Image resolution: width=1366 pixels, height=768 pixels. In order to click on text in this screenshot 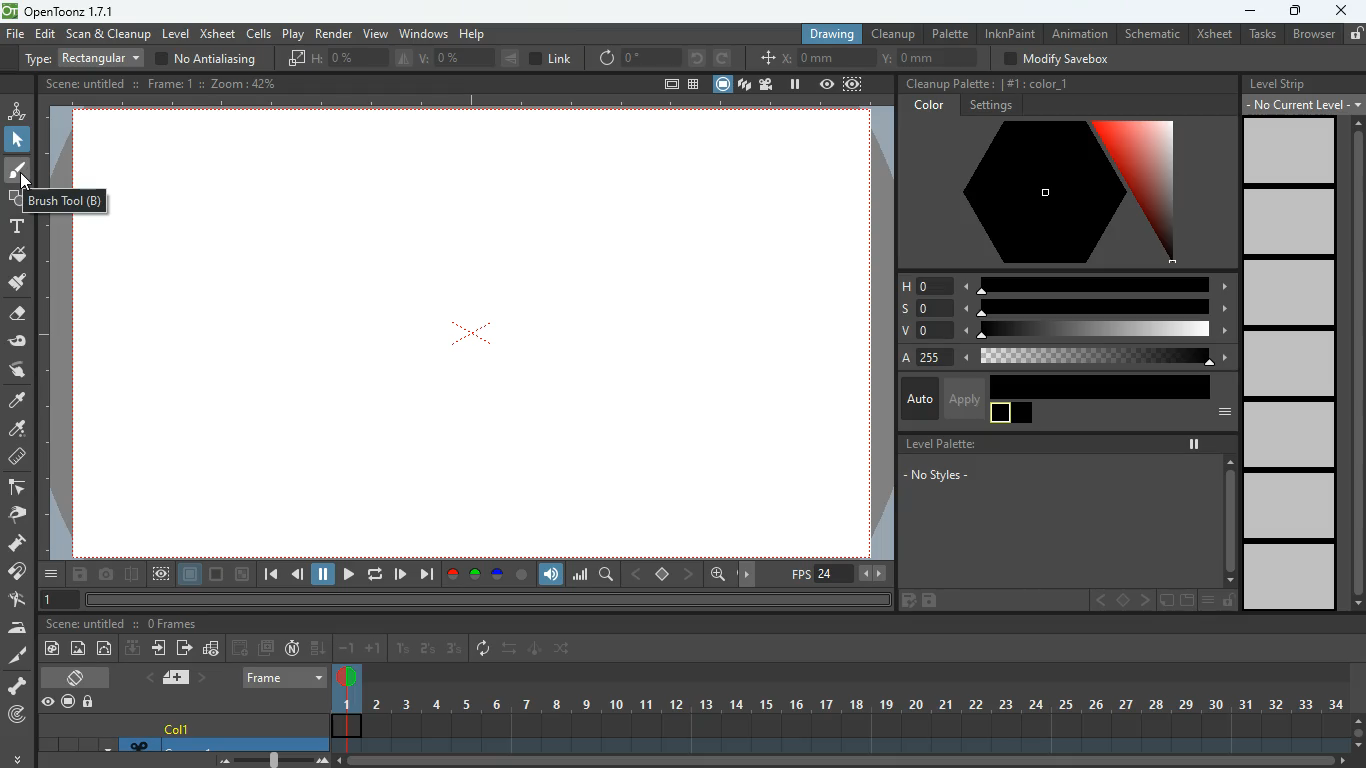, I will do `click(15, 226)`.